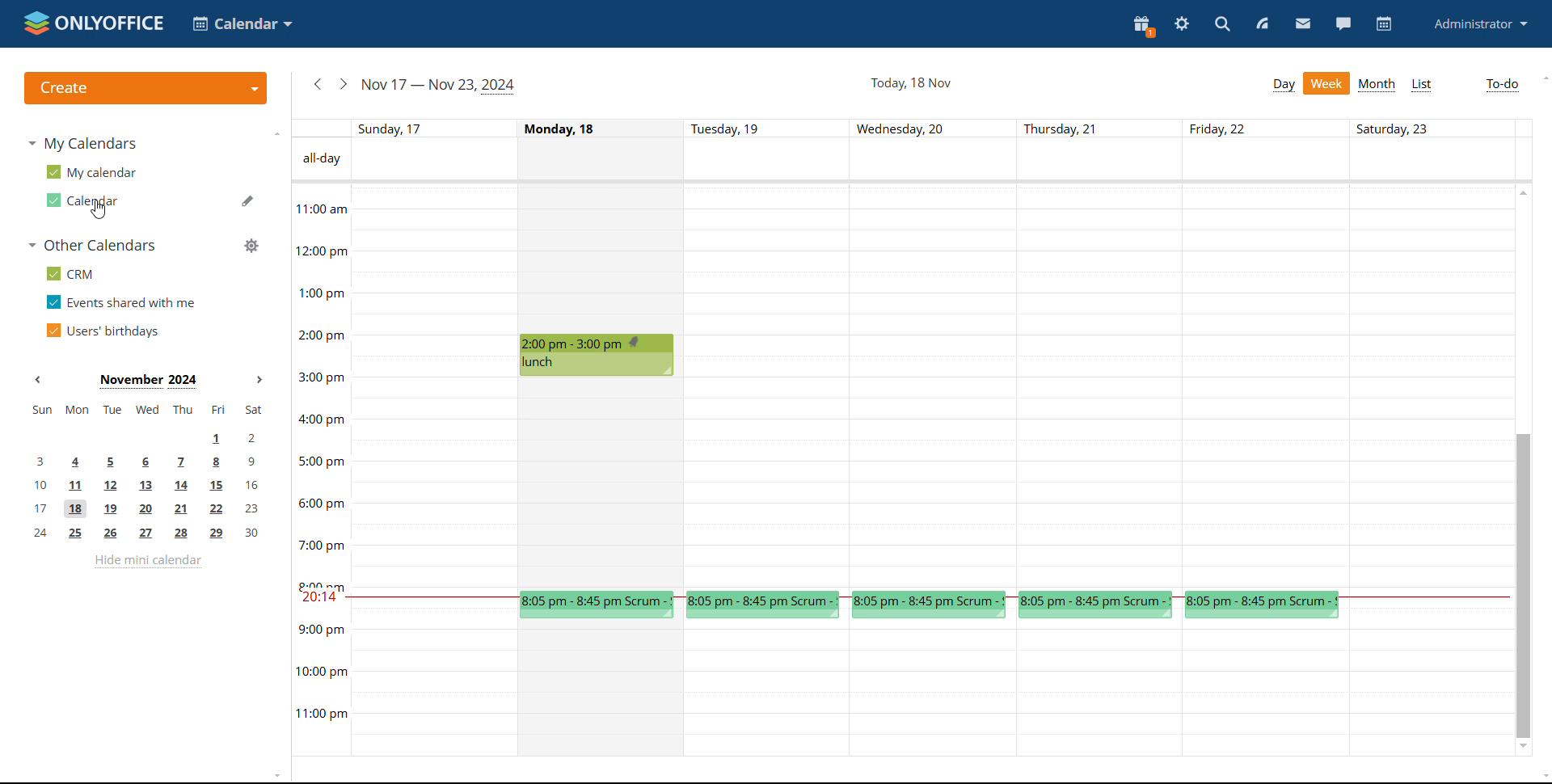 This screenshot has width=1552, height=784. What do you see at coordinates (1221, 25) in the screenshot?
I see `search` at bounding box center [1221, 25].